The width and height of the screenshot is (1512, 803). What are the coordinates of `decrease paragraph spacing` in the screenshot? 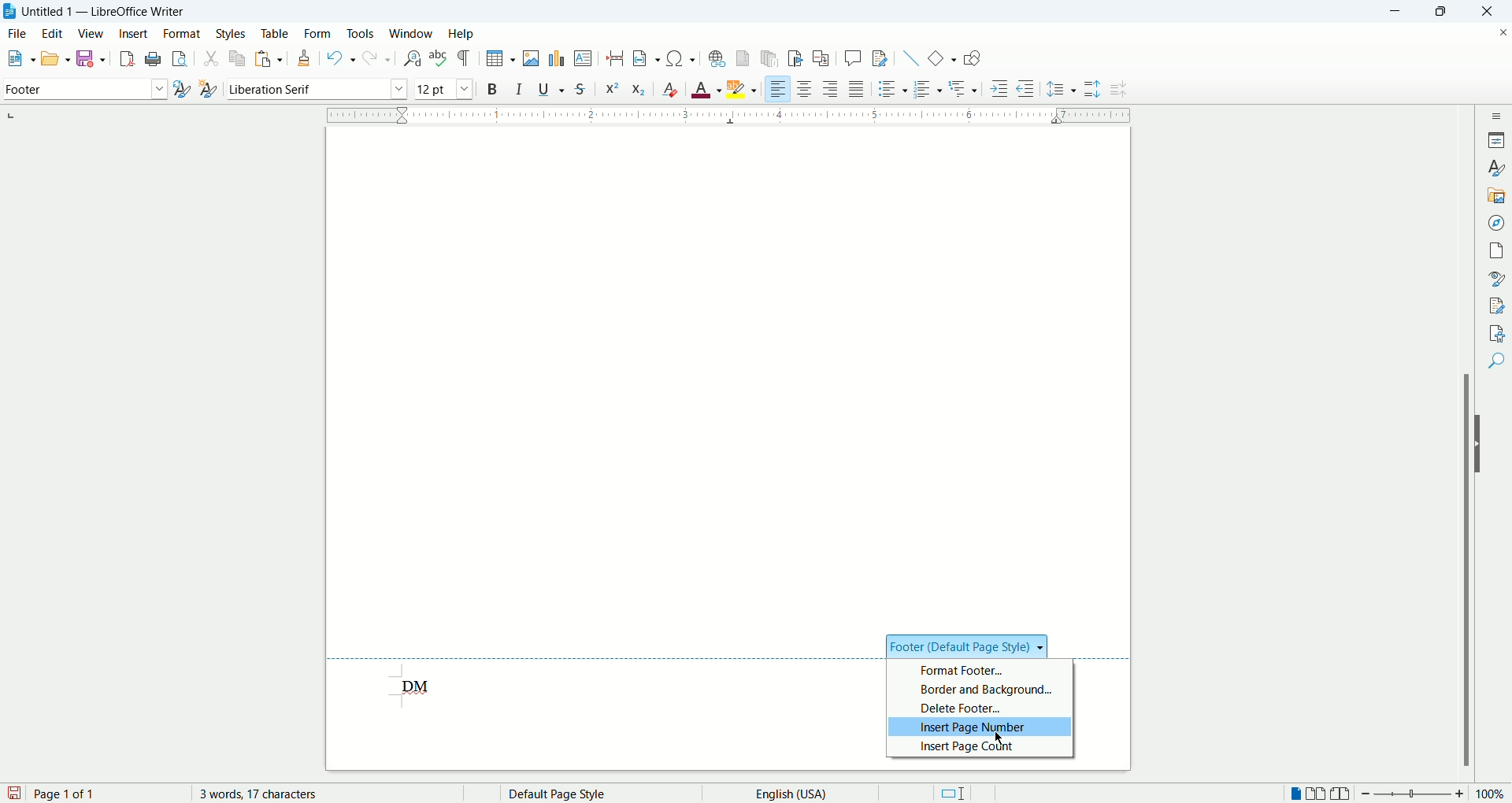 It's located at (1118, 90).